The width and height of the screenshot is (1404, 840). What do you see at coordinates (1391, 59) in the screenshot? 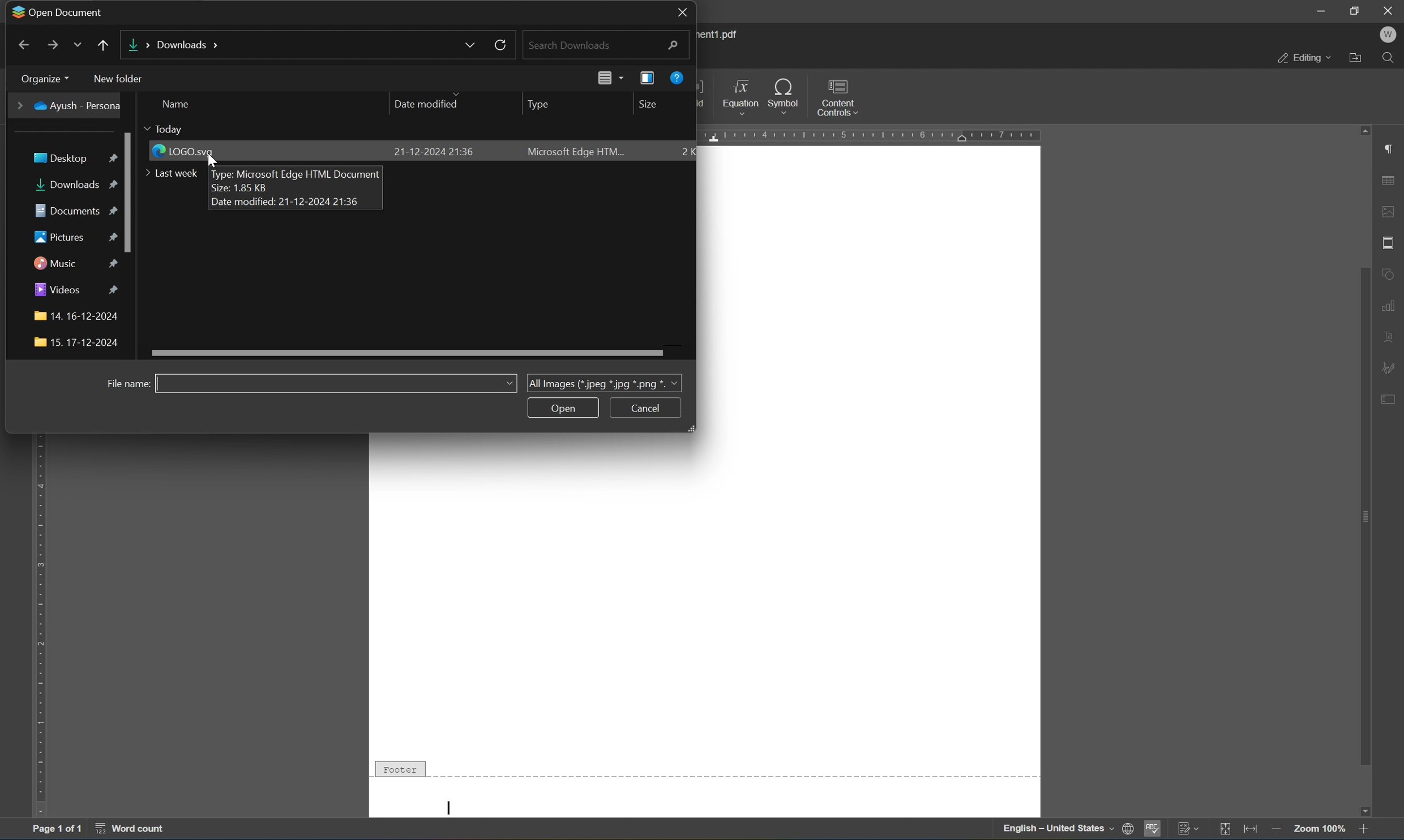
I see `find` at bounding box center [1391, 59].